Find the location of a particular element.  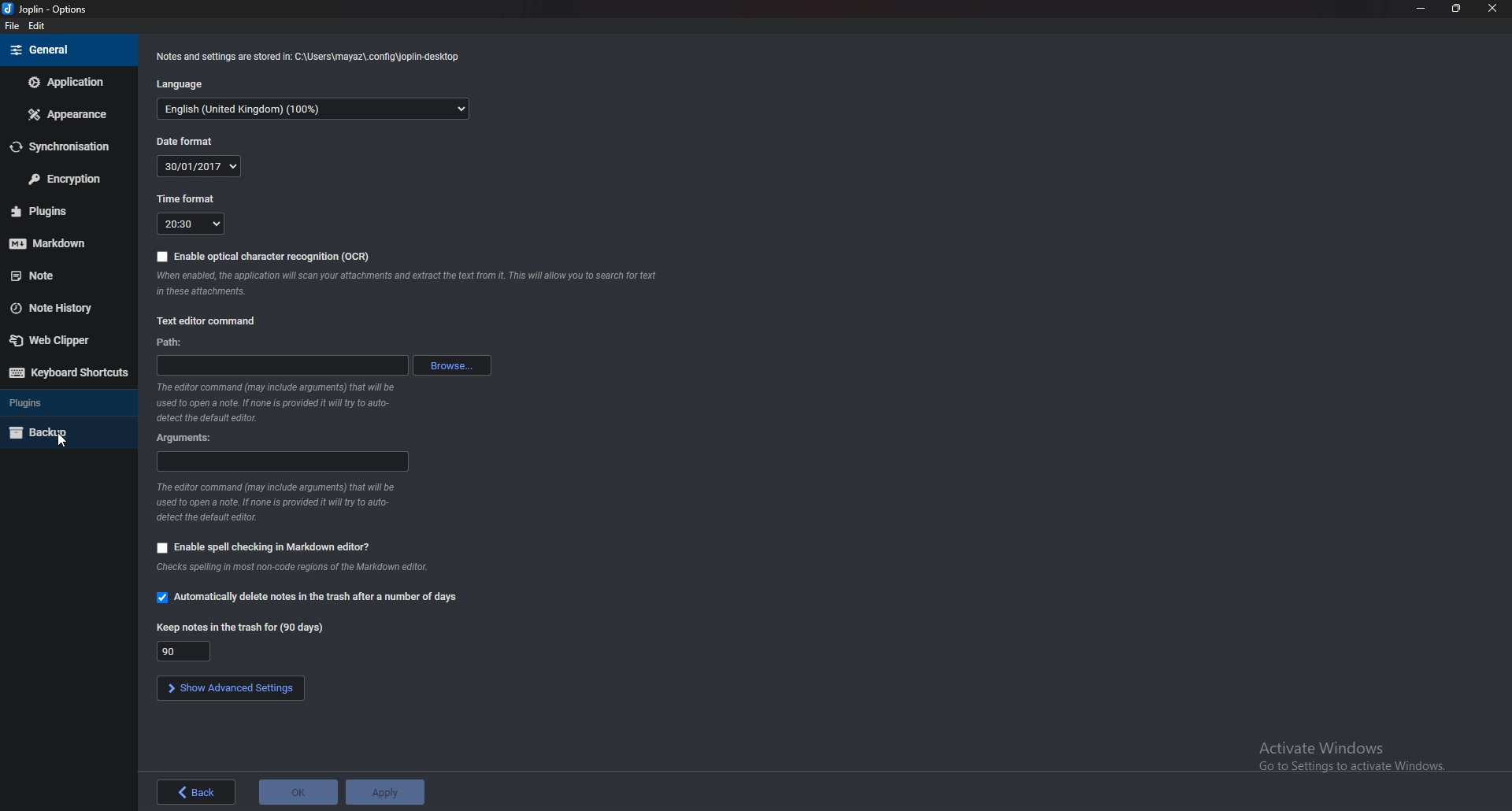

ok is located at coordinates (298, 792).